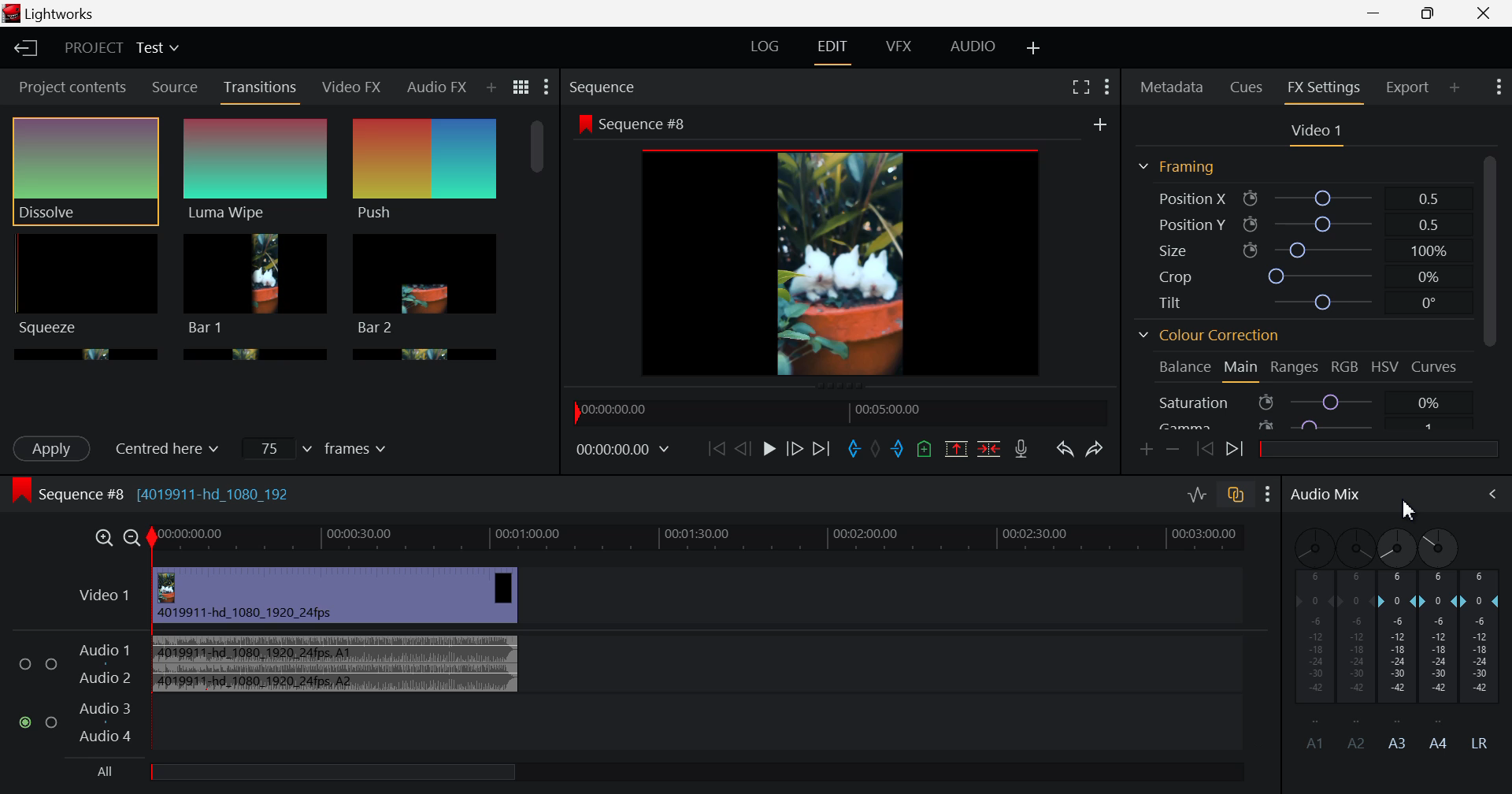  I want to click on Dissolve, so click(85, 172).